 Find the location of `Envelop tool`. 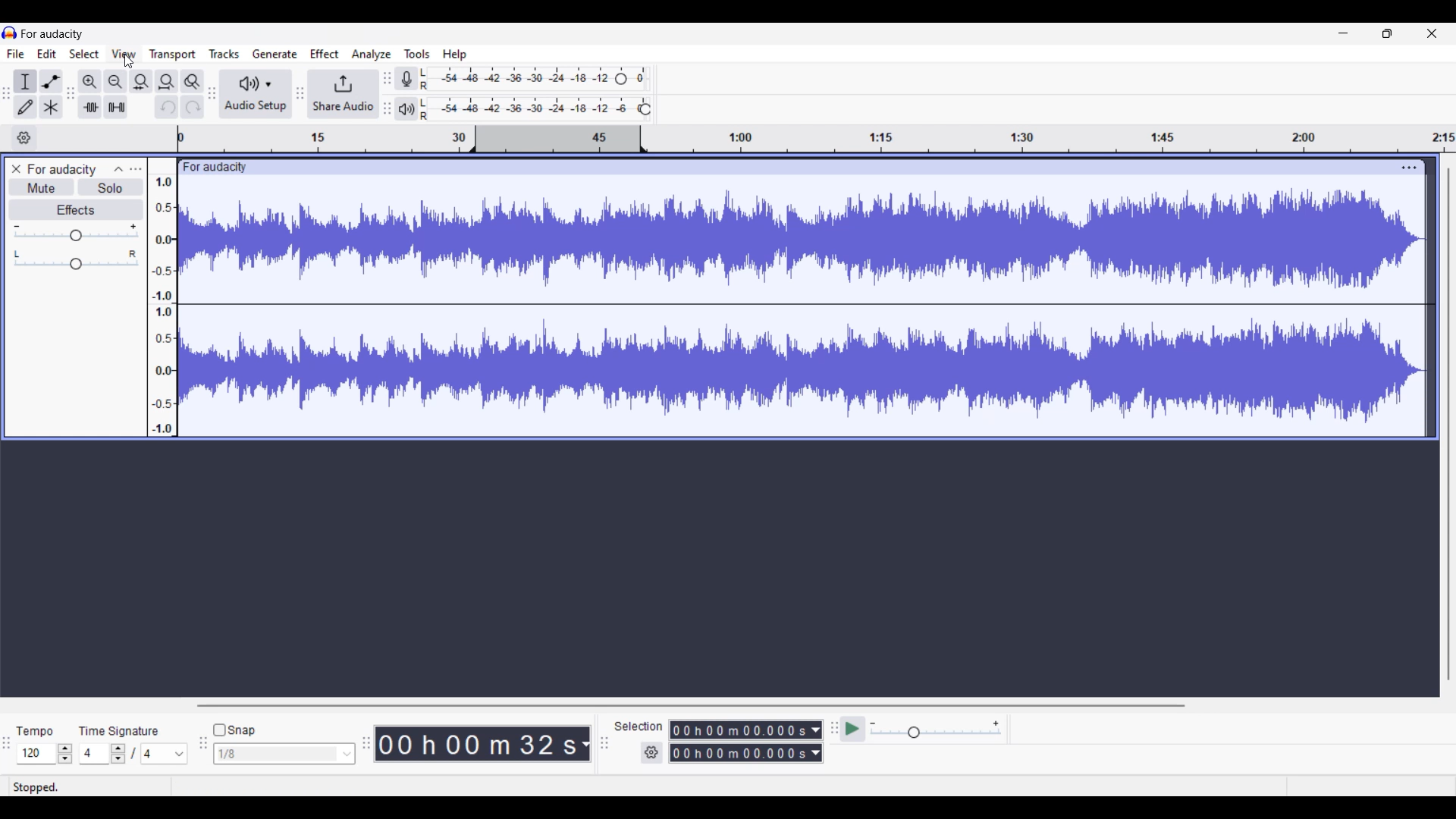

Envelop tool is located at coordinates (51, 82).